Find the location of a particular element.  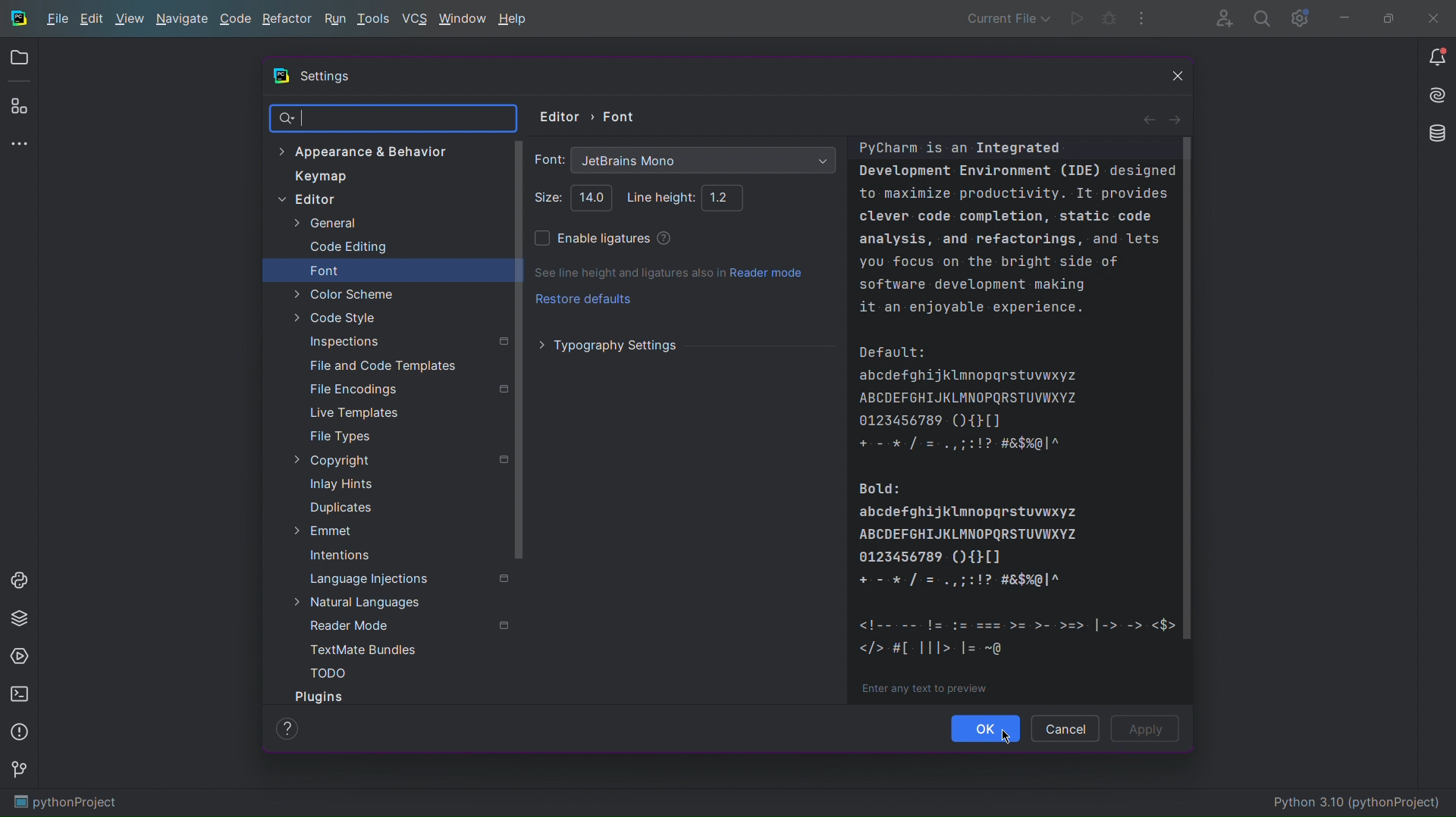

Edit is located at coordinates (90, 20).